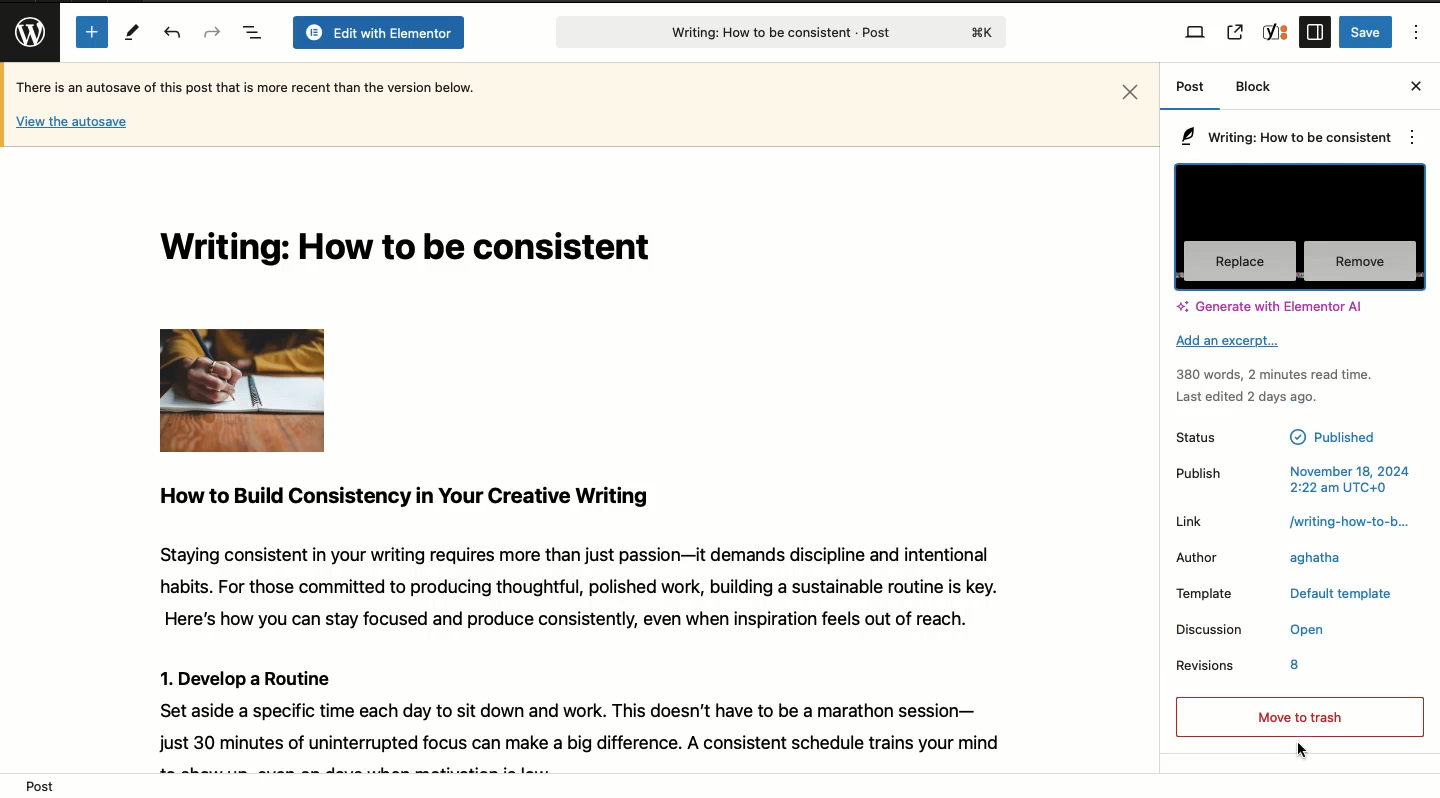 The width and height of the screenshot is (1440, 798). What do you see at coordinates (72, 123) in the screenshot?
I see `View the autosave` at bounding box center [72, 123].